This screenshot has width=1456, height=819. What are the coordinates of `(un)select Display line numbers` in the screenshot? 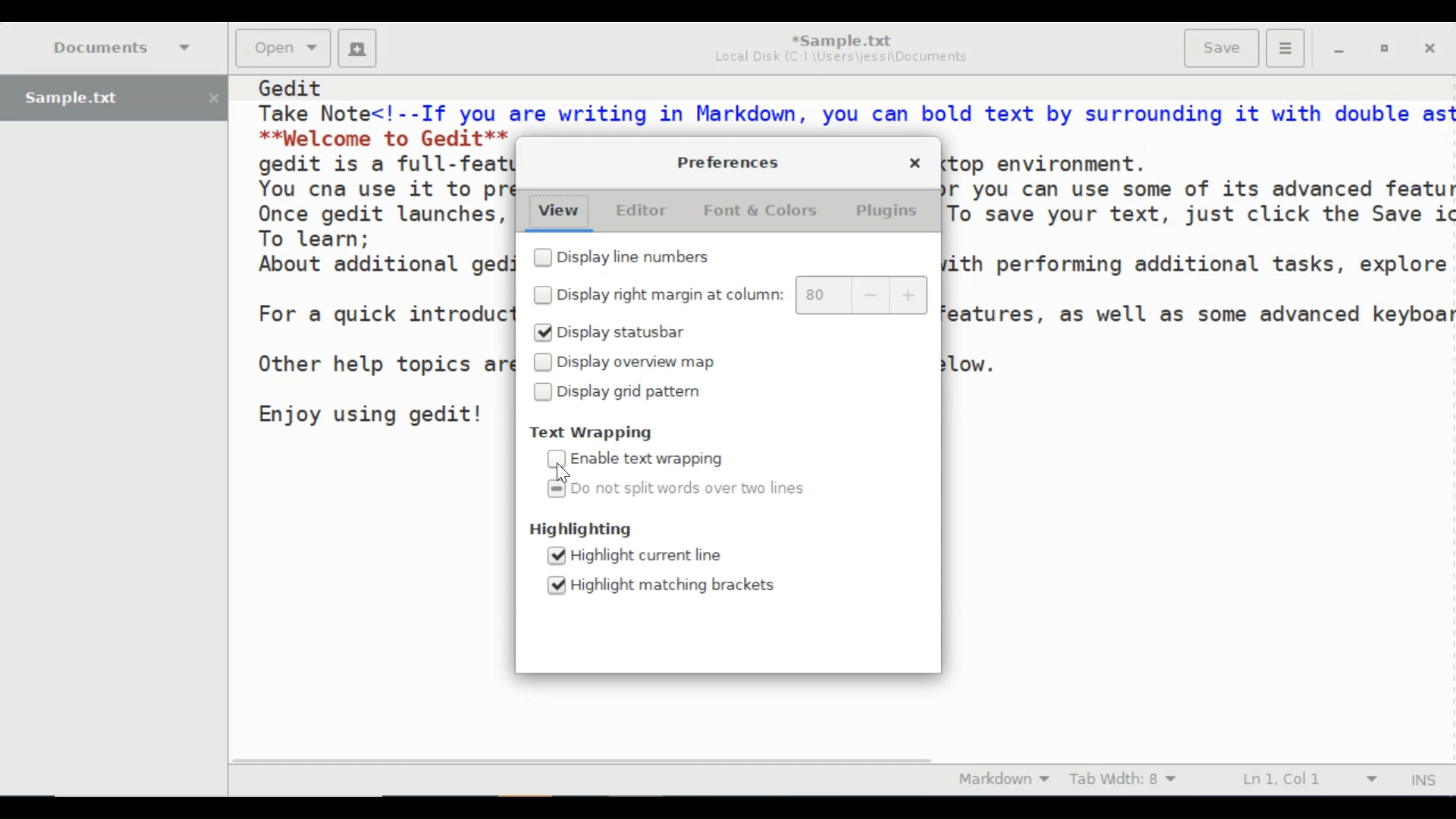 It's located at (626, 258).